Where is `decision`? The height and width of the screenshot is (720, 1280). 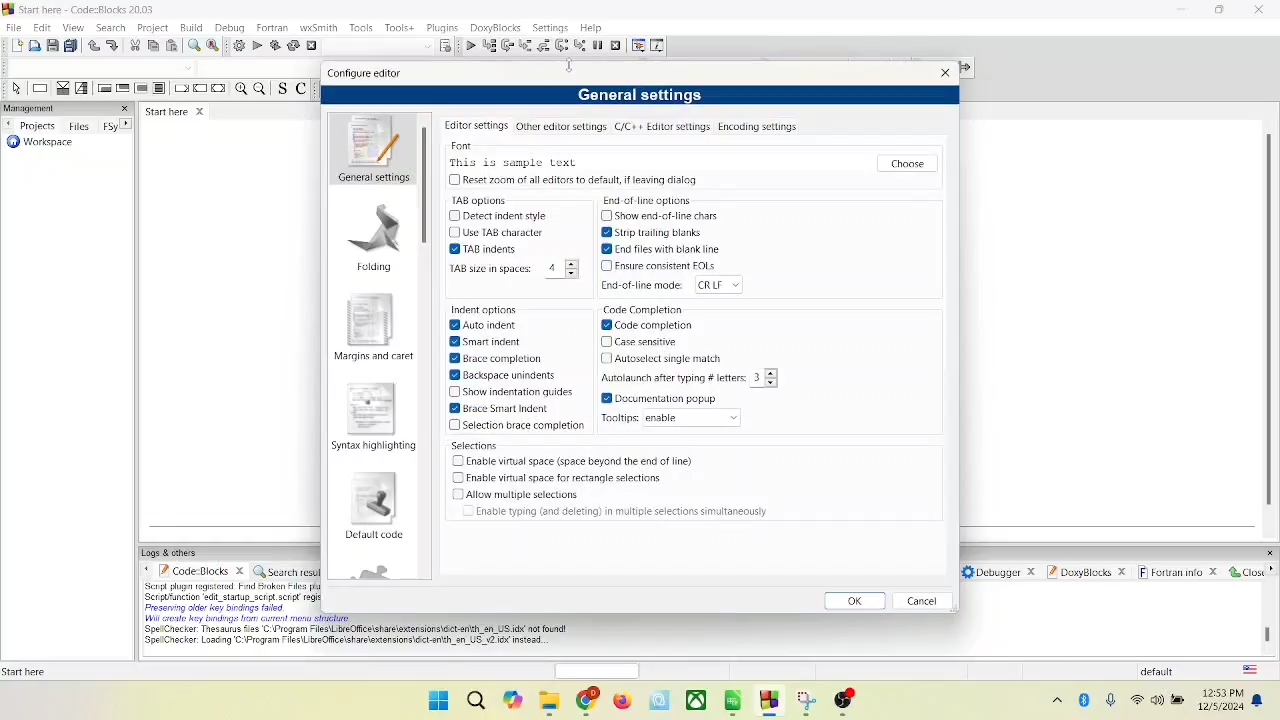
decision is located at coordinates (59, 88).